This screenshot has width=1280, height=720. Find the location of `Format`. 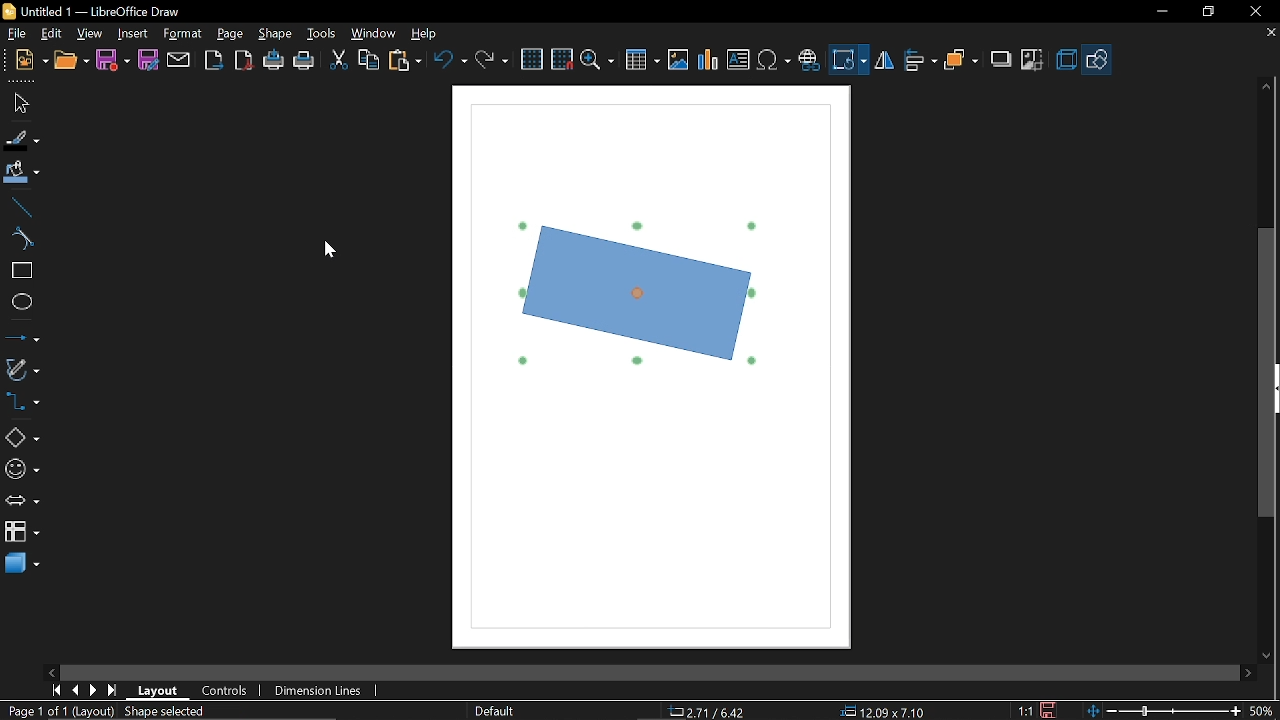

Format is located at coordinates (183, 34).